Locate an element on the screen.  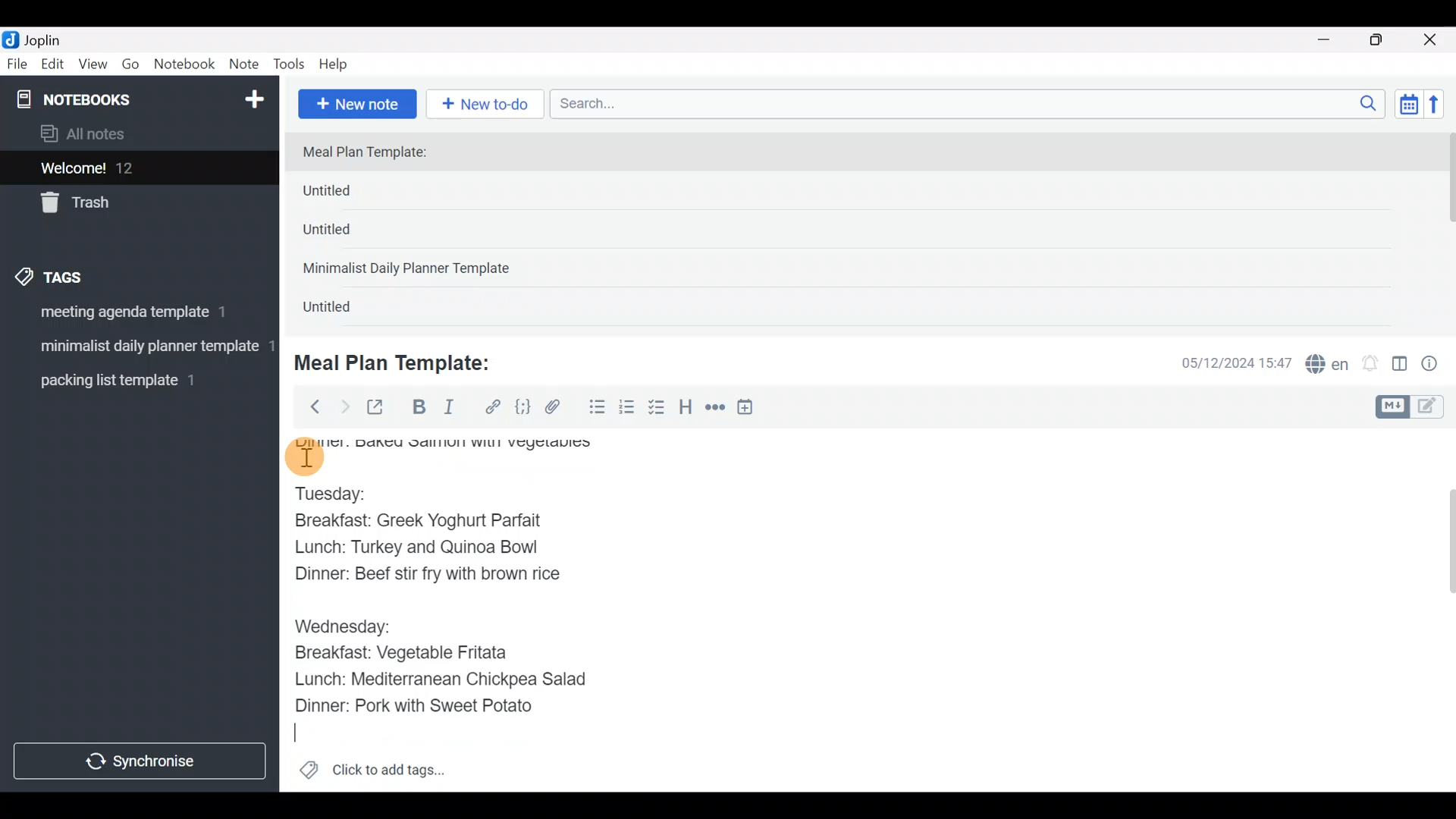
Lunch: Mediterranean Chickpea Salad is located at coordinates (447, 678).